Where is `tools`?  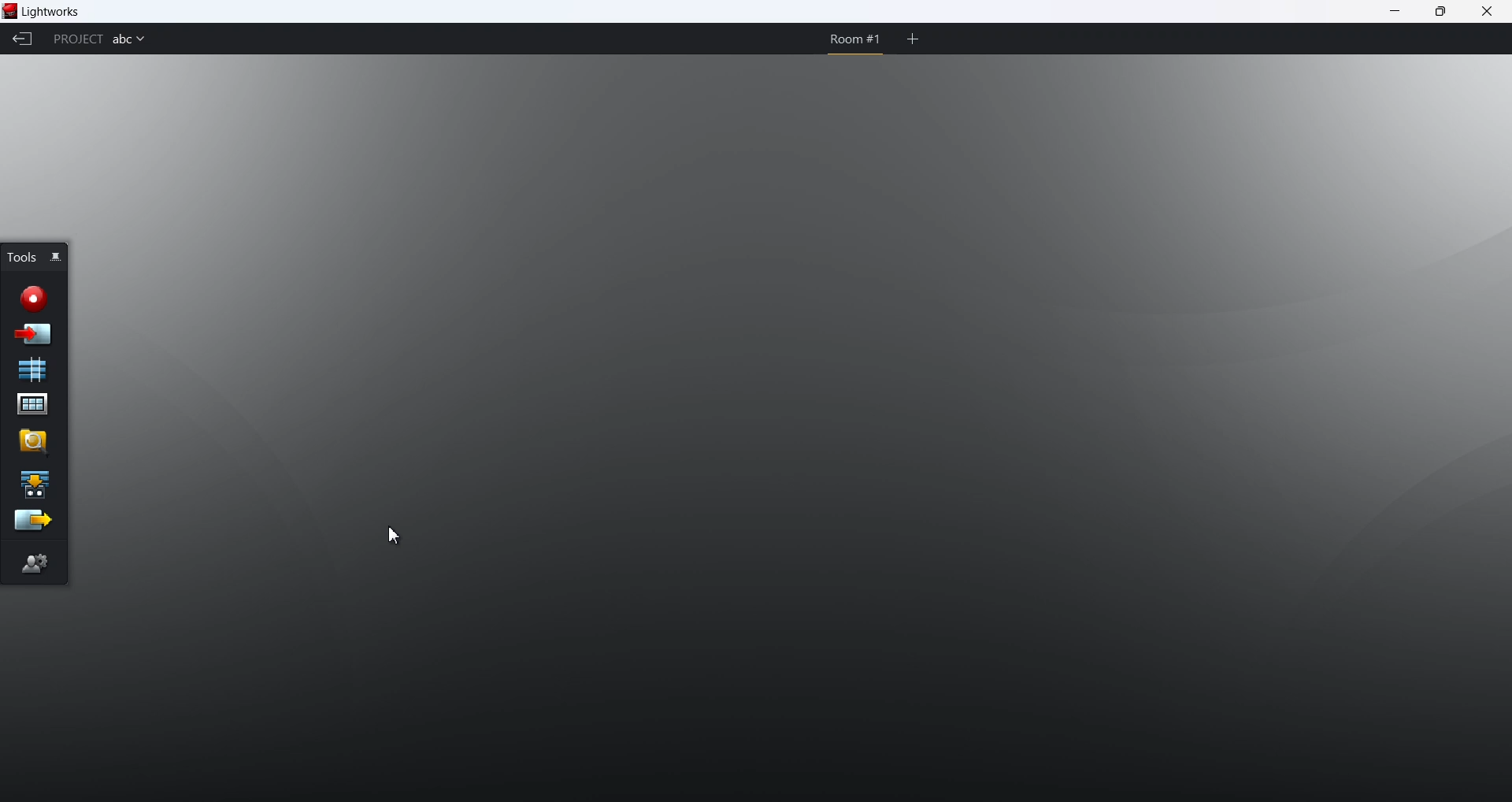
tools is located at coordinates (21, 256).